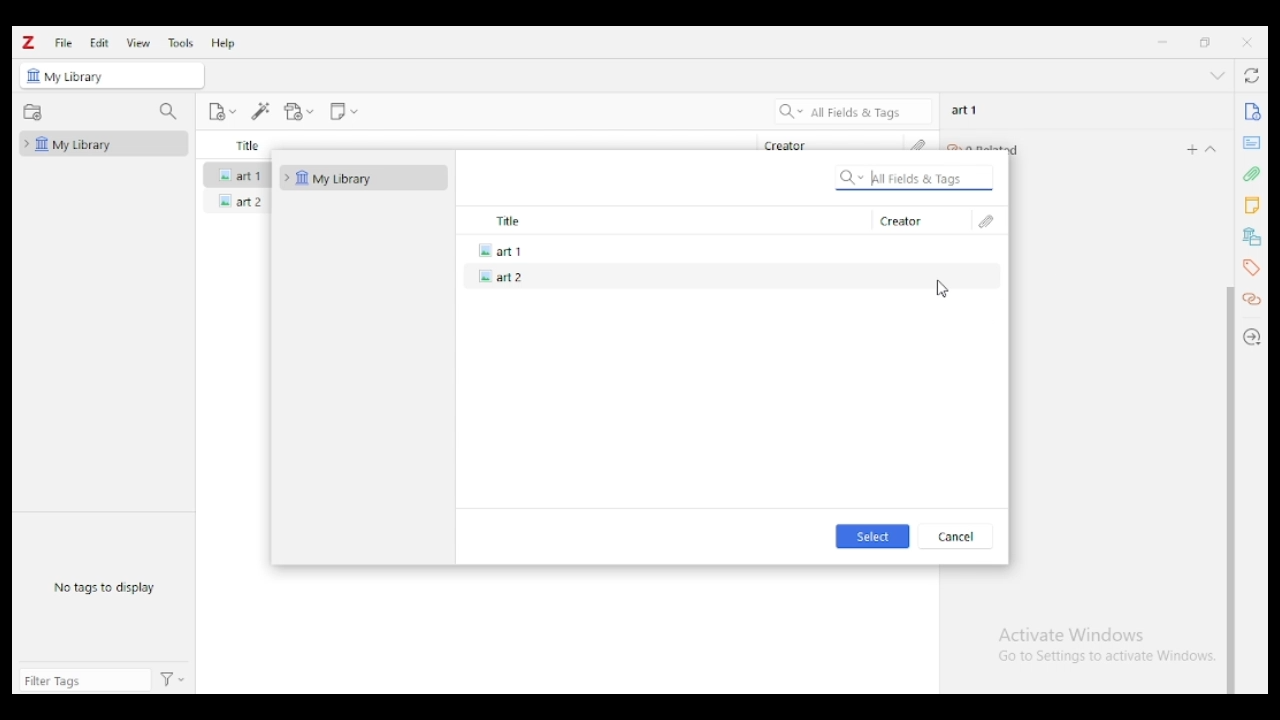 Image resolution: width=1280 pixels, height=720 pixels. What do you see at coordinates (662, 221) in the screenshot?
I see `title` at bounding box center [662, 221].